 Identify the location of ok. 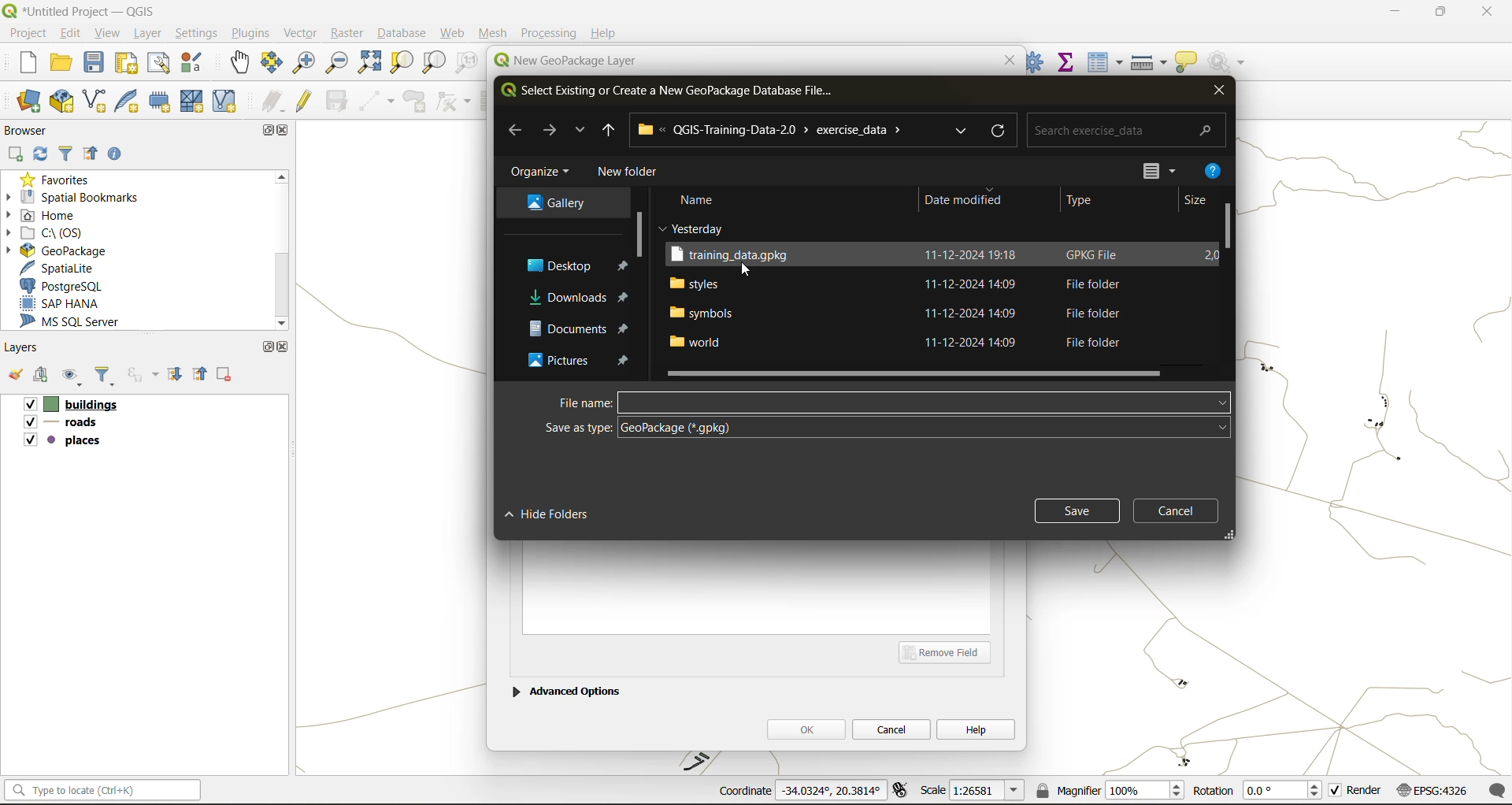
(806, 729).